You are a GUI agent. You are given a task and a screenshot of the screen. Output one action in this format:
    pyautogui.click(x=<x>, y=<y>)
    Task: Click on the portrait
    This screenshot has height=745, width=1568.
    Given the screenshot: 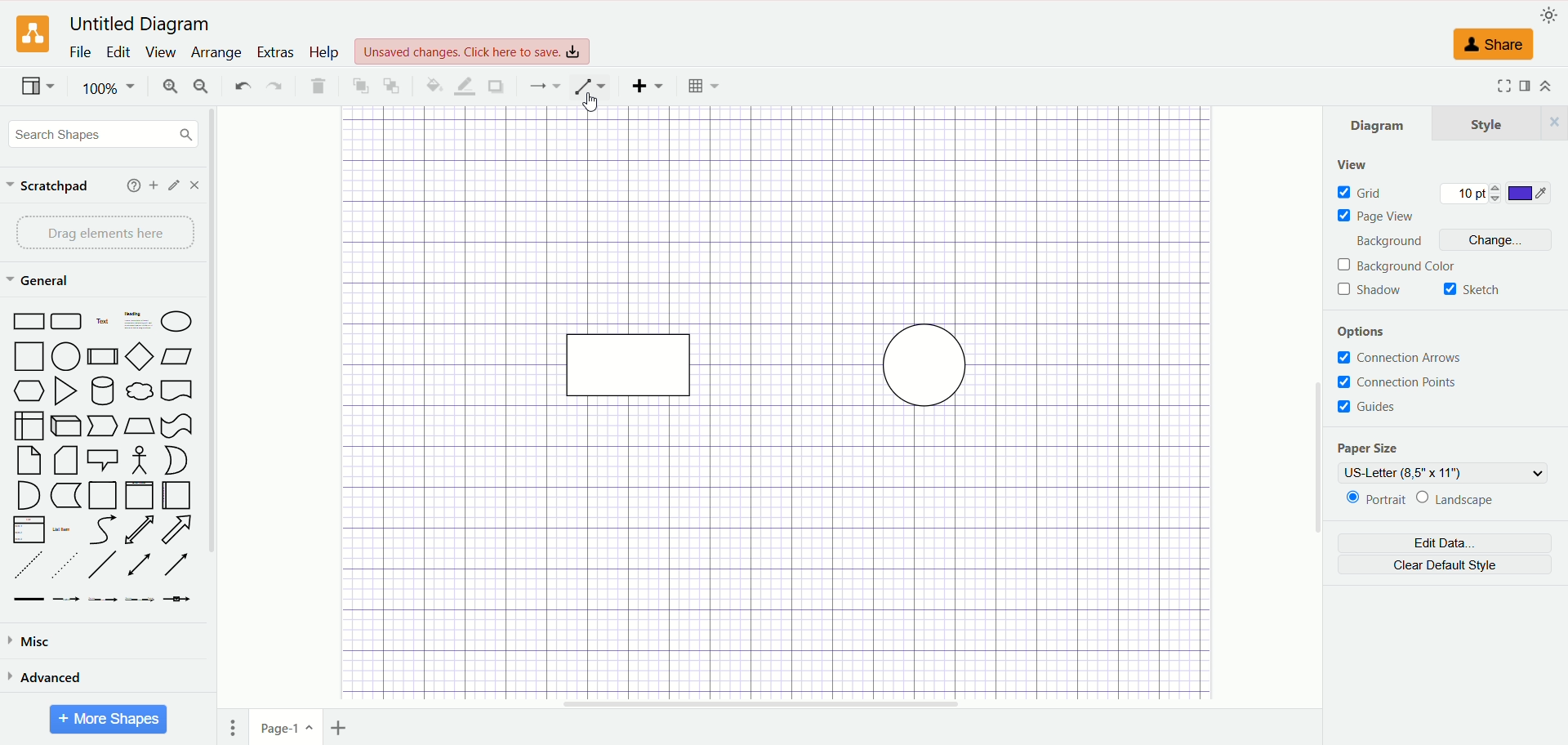 What is the action you would take?
    pyautogui.click(x=1371, y=500)
    